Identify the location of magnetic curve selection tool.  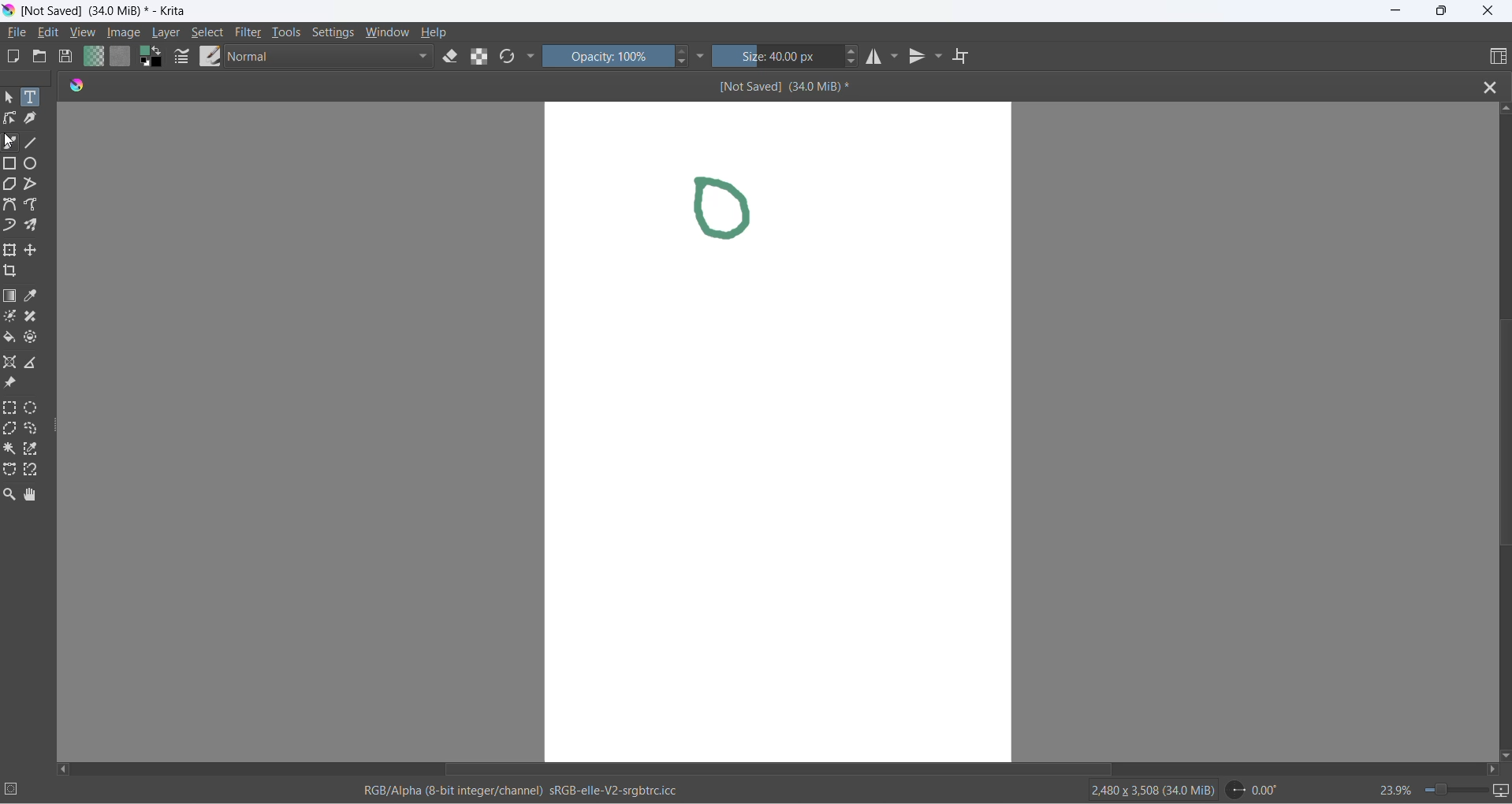
(34, 471).